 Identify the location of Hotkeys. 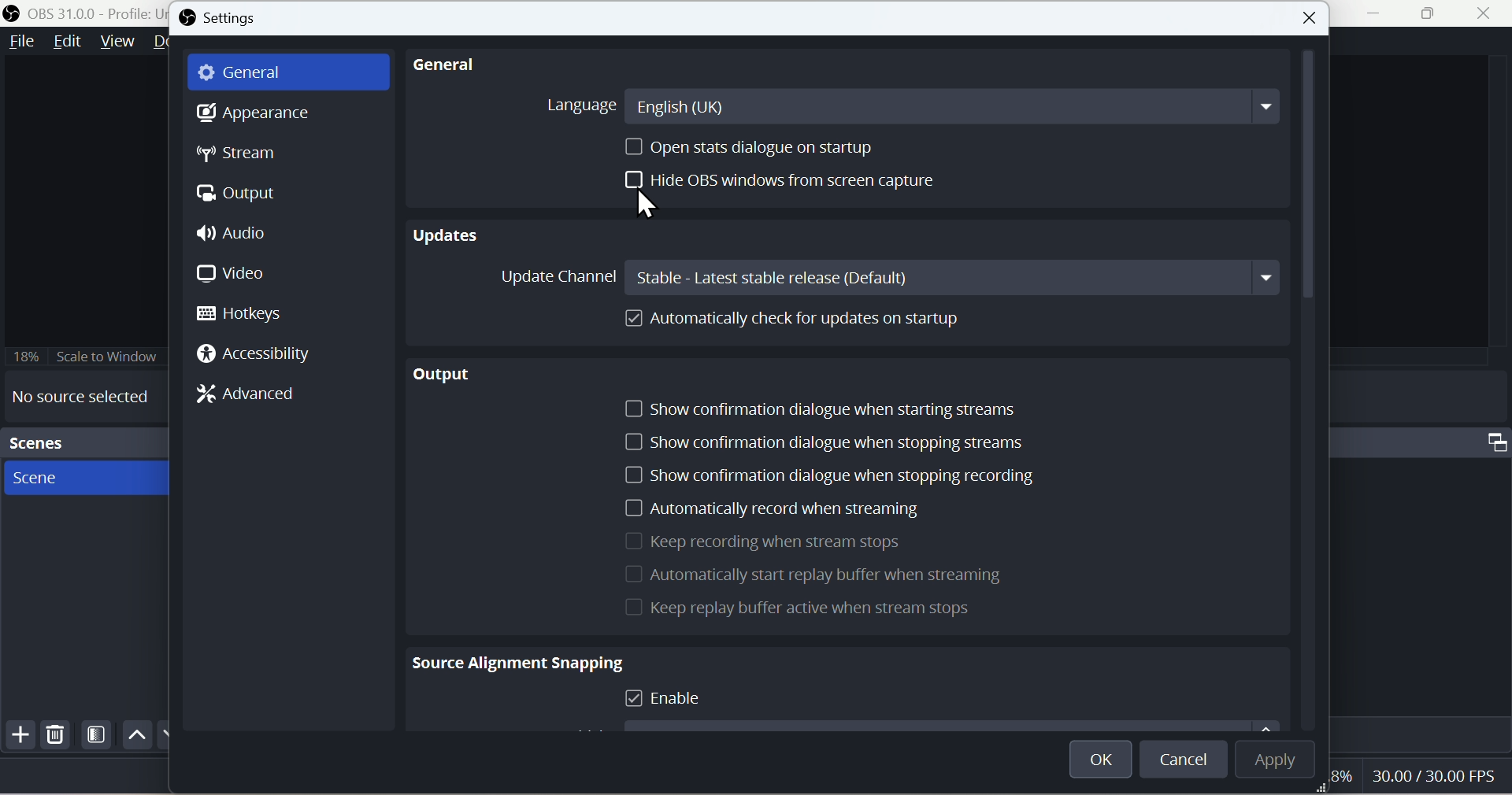
(250, 316).